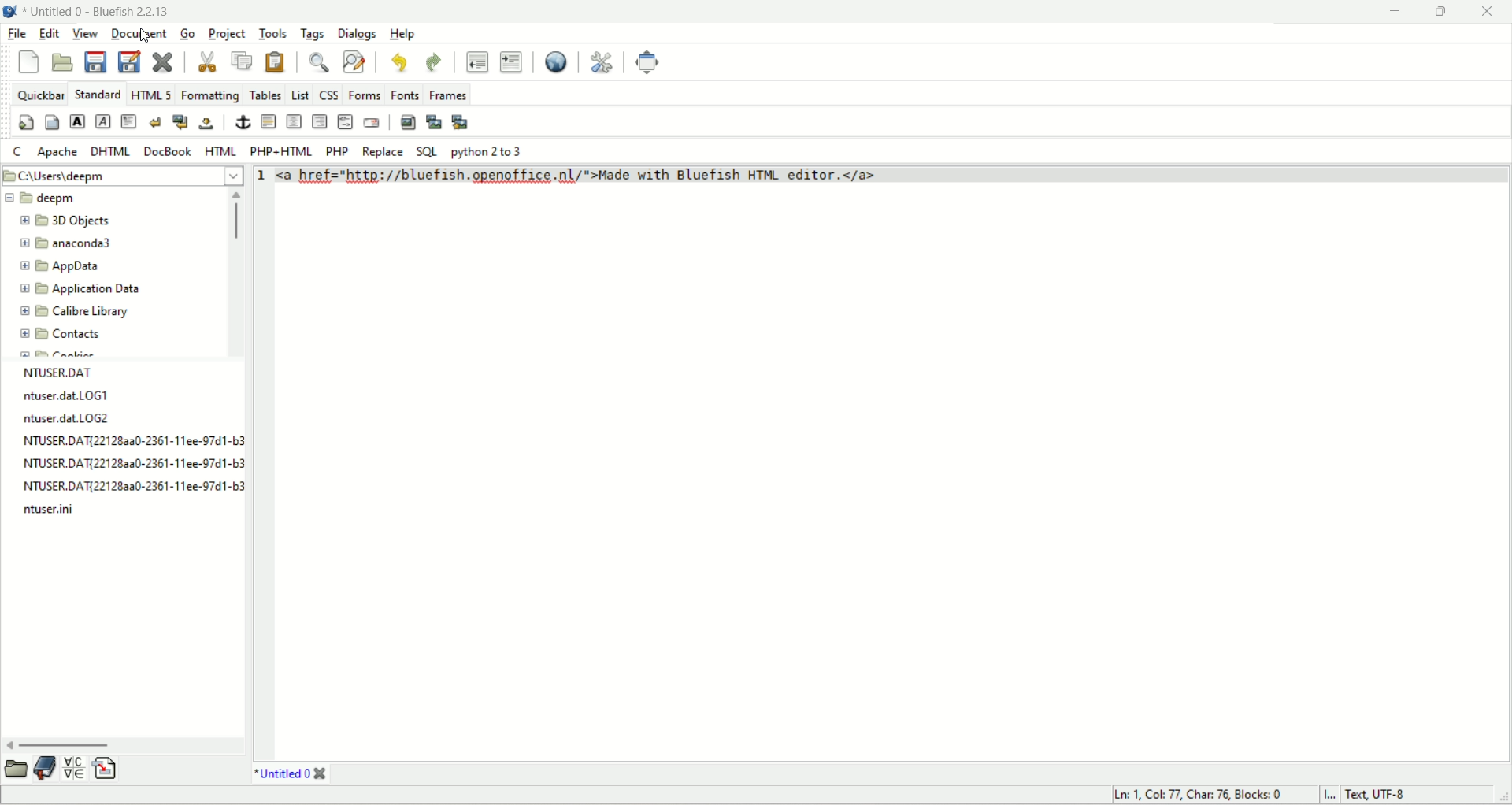 The width and height of the screenshot is (1512, 805). Describe the element at coordinates (358, 34) in the screenshot. I see `dialogs` at that location.